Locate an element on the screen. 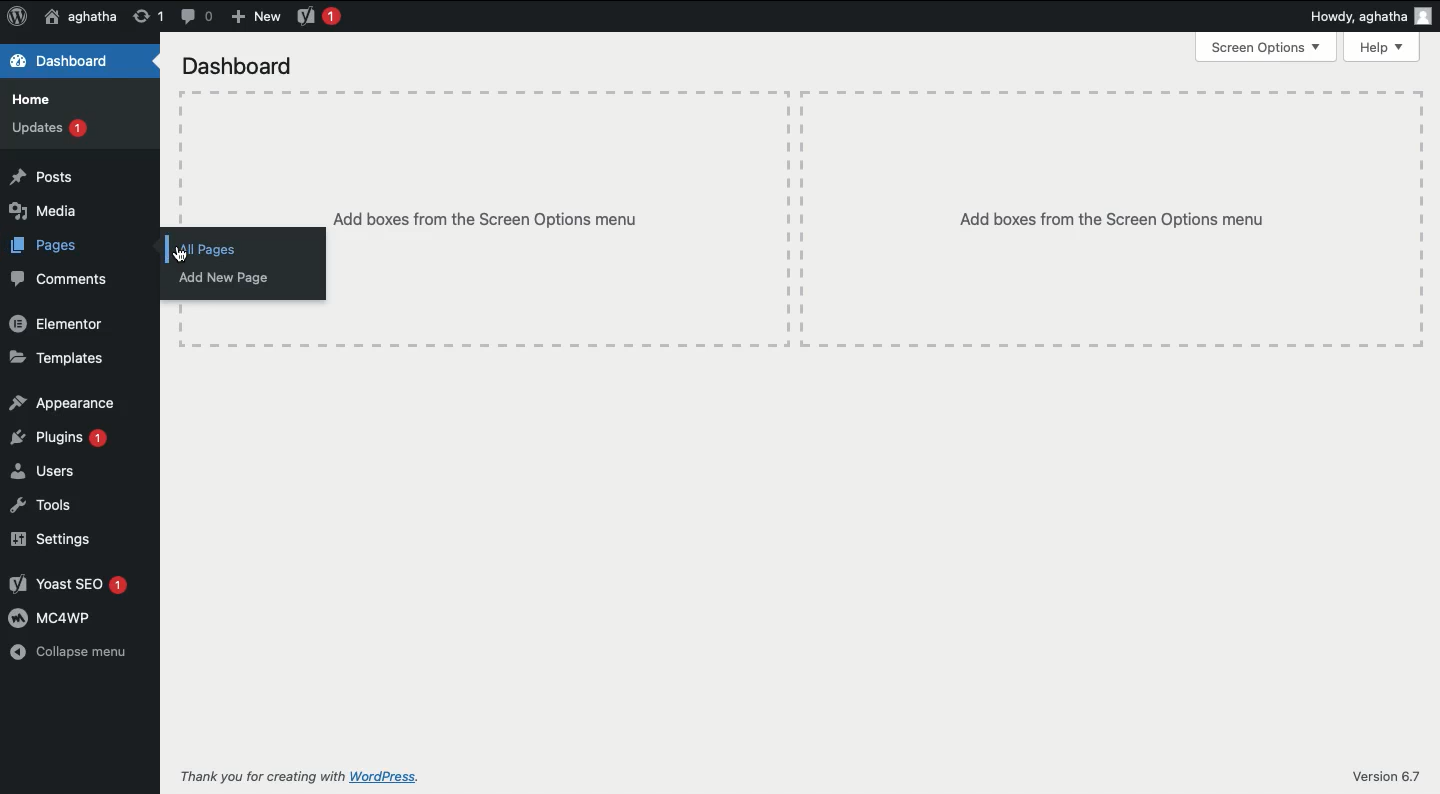  User is located at coordinates (78, 18).